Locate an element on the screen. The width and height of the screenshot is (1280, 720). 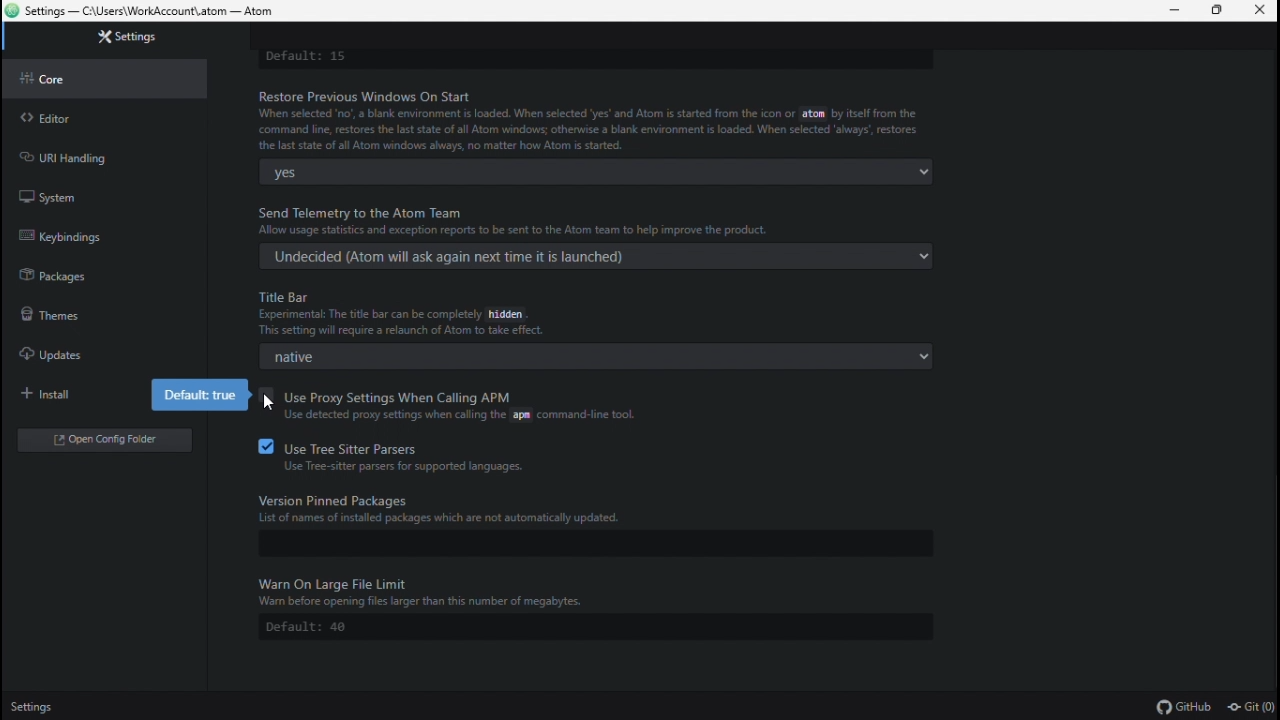
send telemetry is located at coordinates (603, 221).